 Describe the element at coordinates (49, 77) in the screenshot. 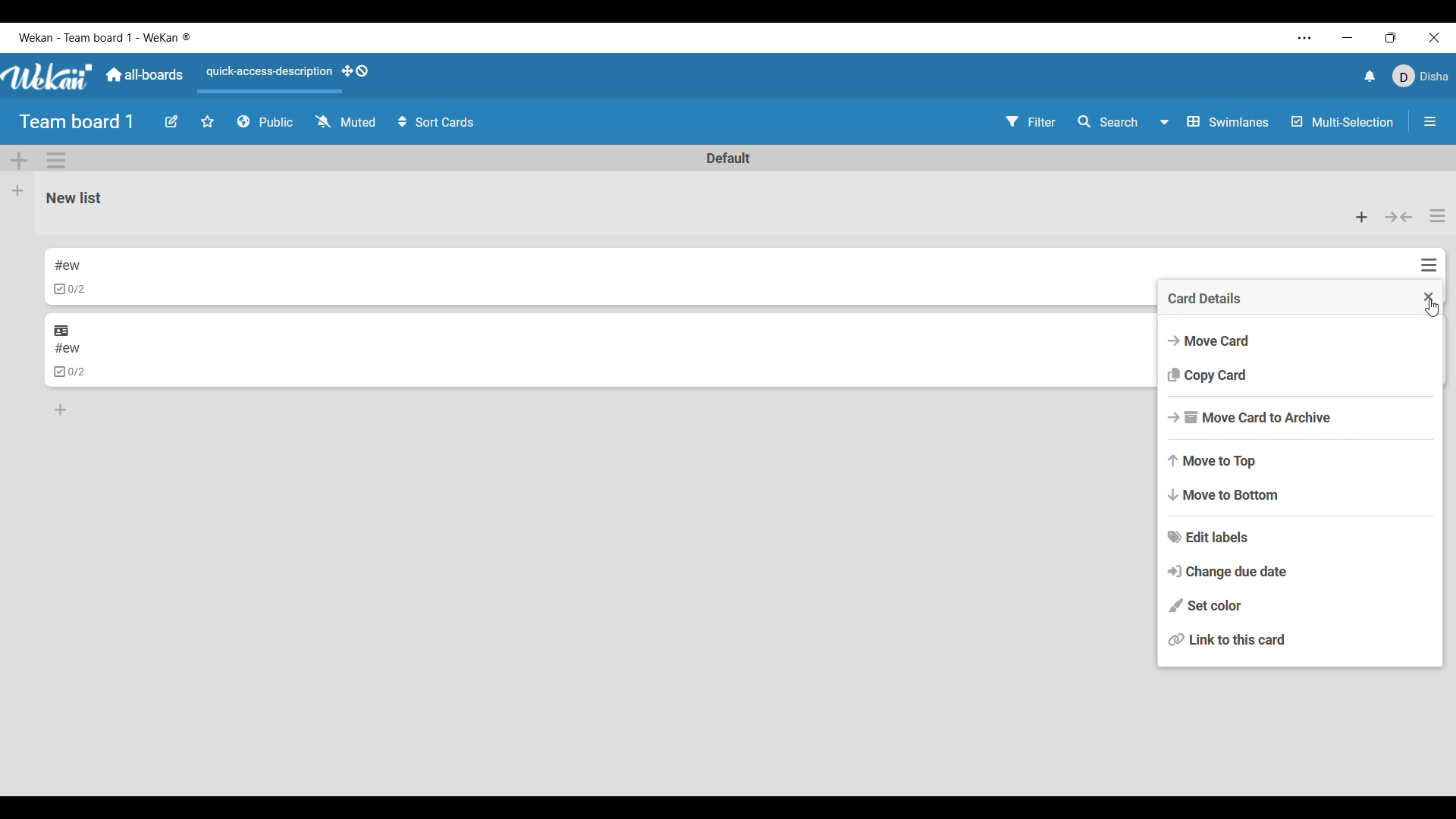

I see `Software logo` at that location.